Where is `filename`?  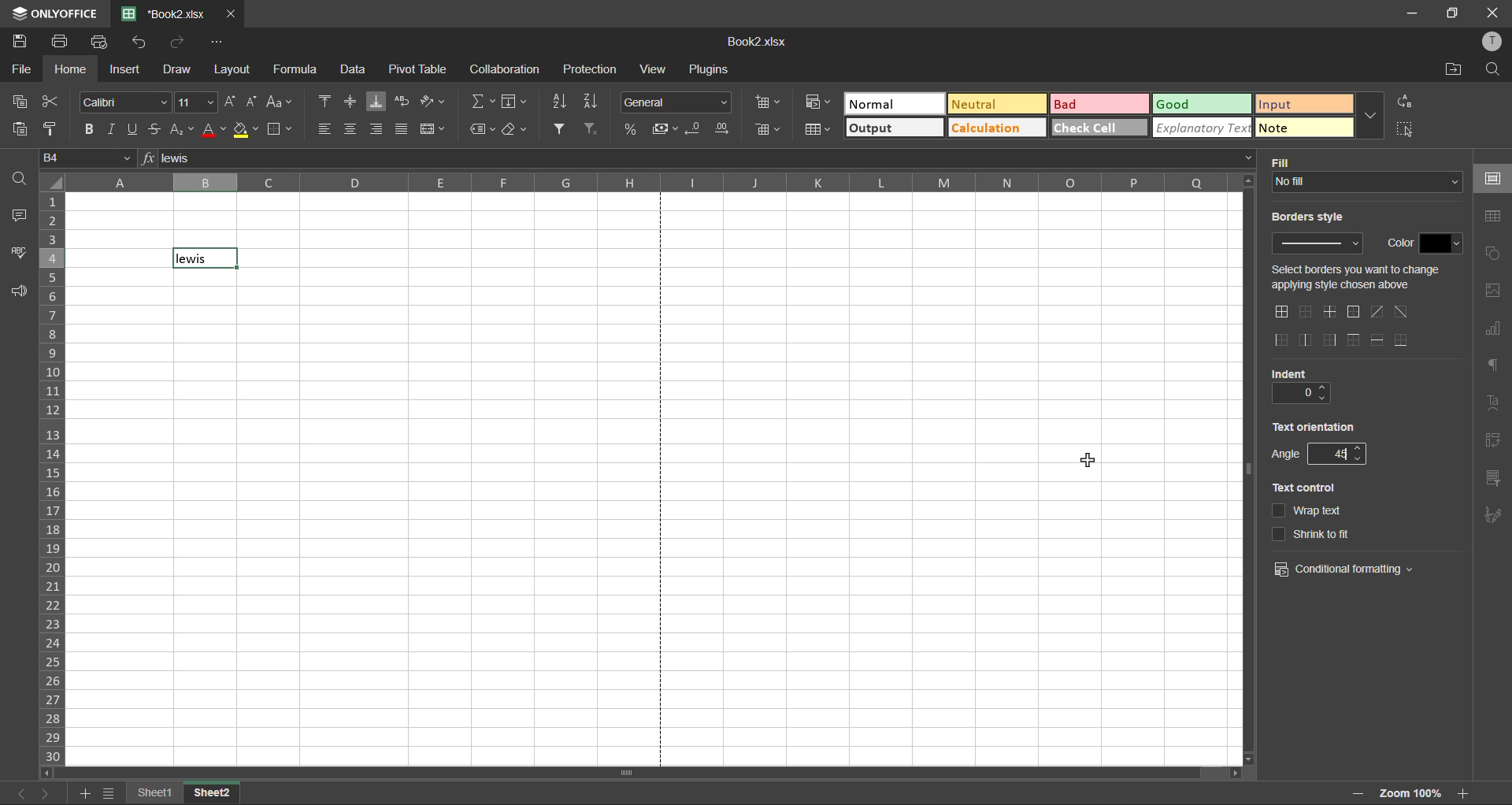 filename is located at coordinates (764, 40).